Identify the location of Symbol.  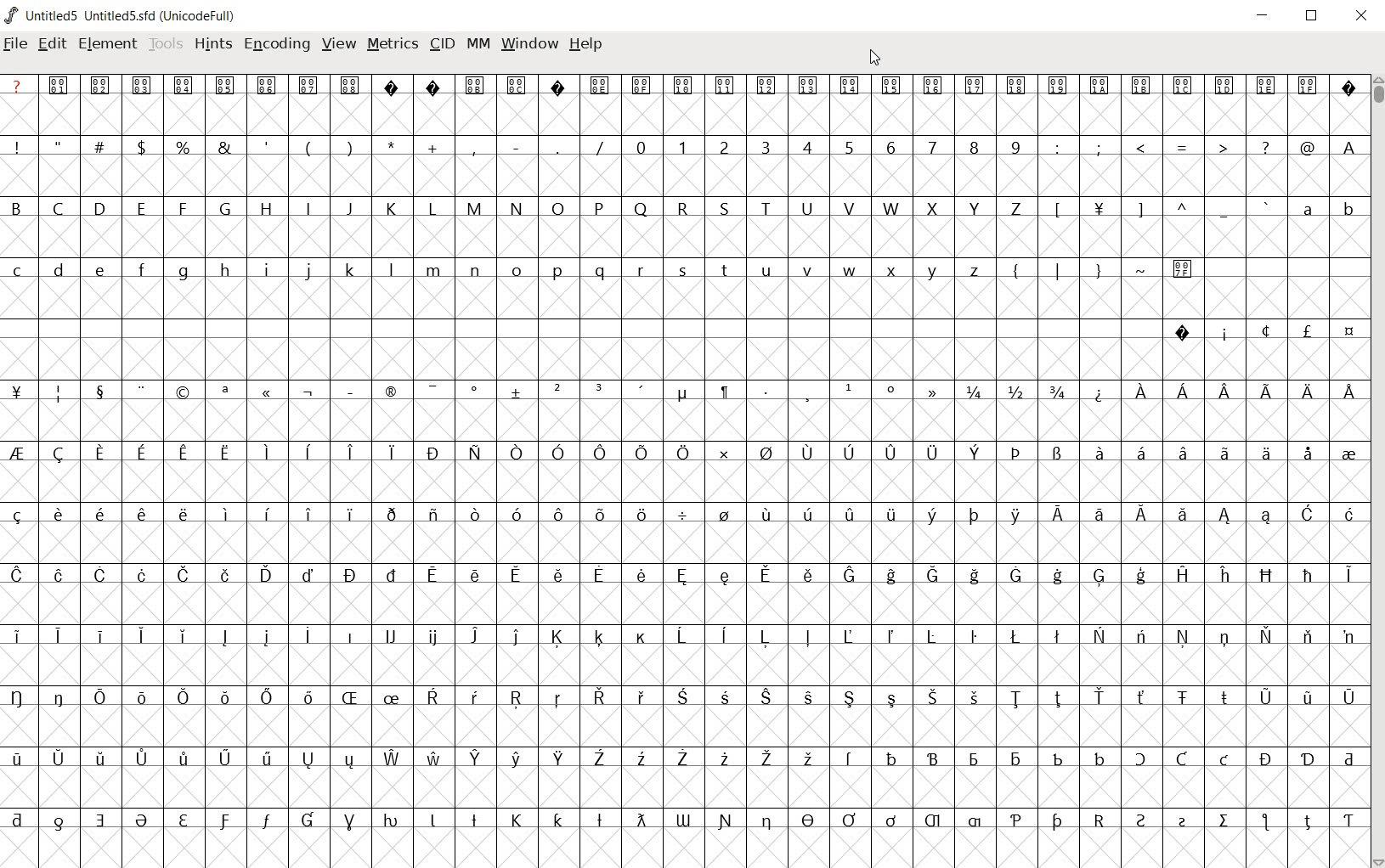
(977, 454).